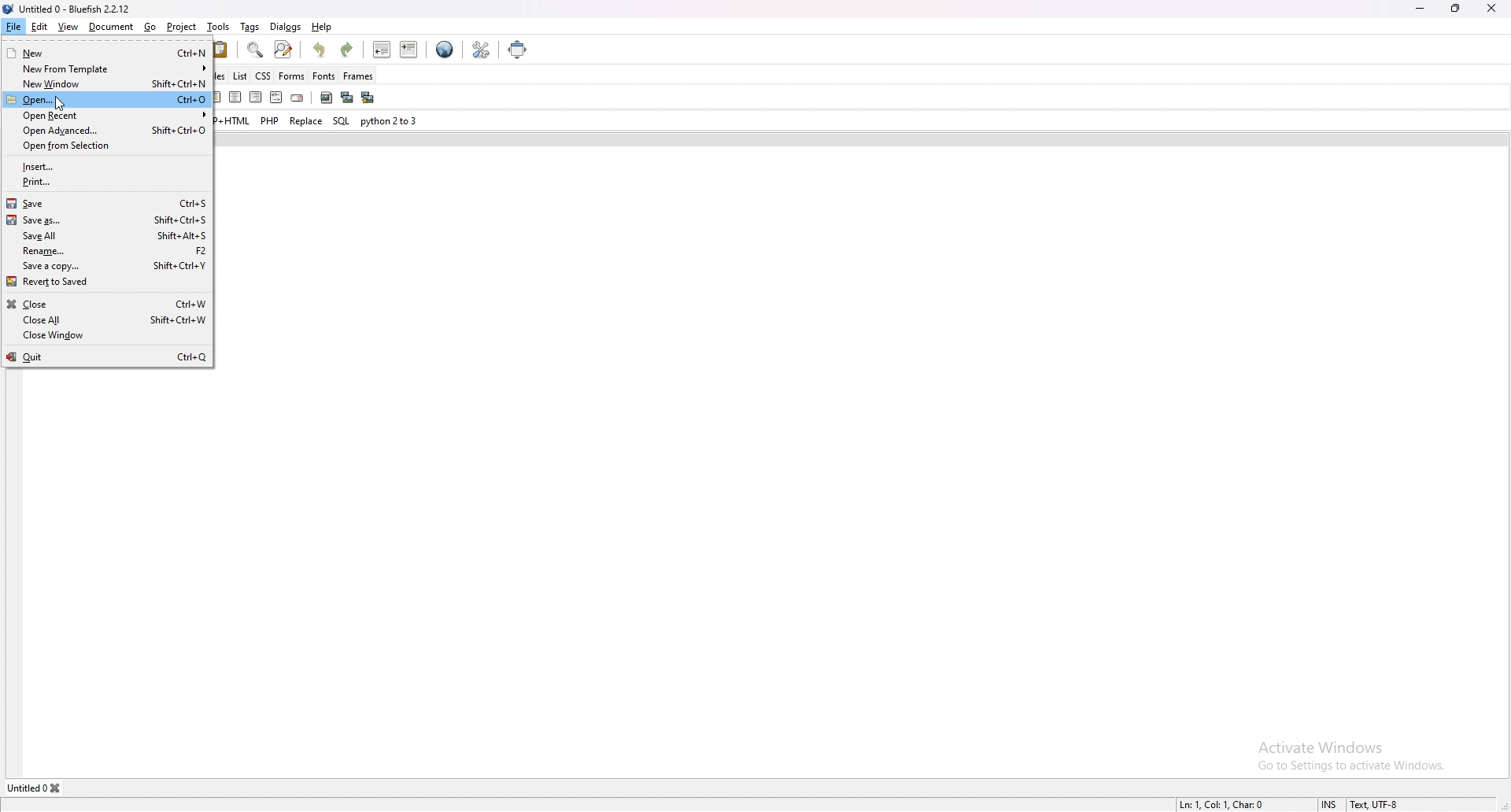  Describe the element at coordinates (58, 234) in the screenshot. I see `save all` at that location.